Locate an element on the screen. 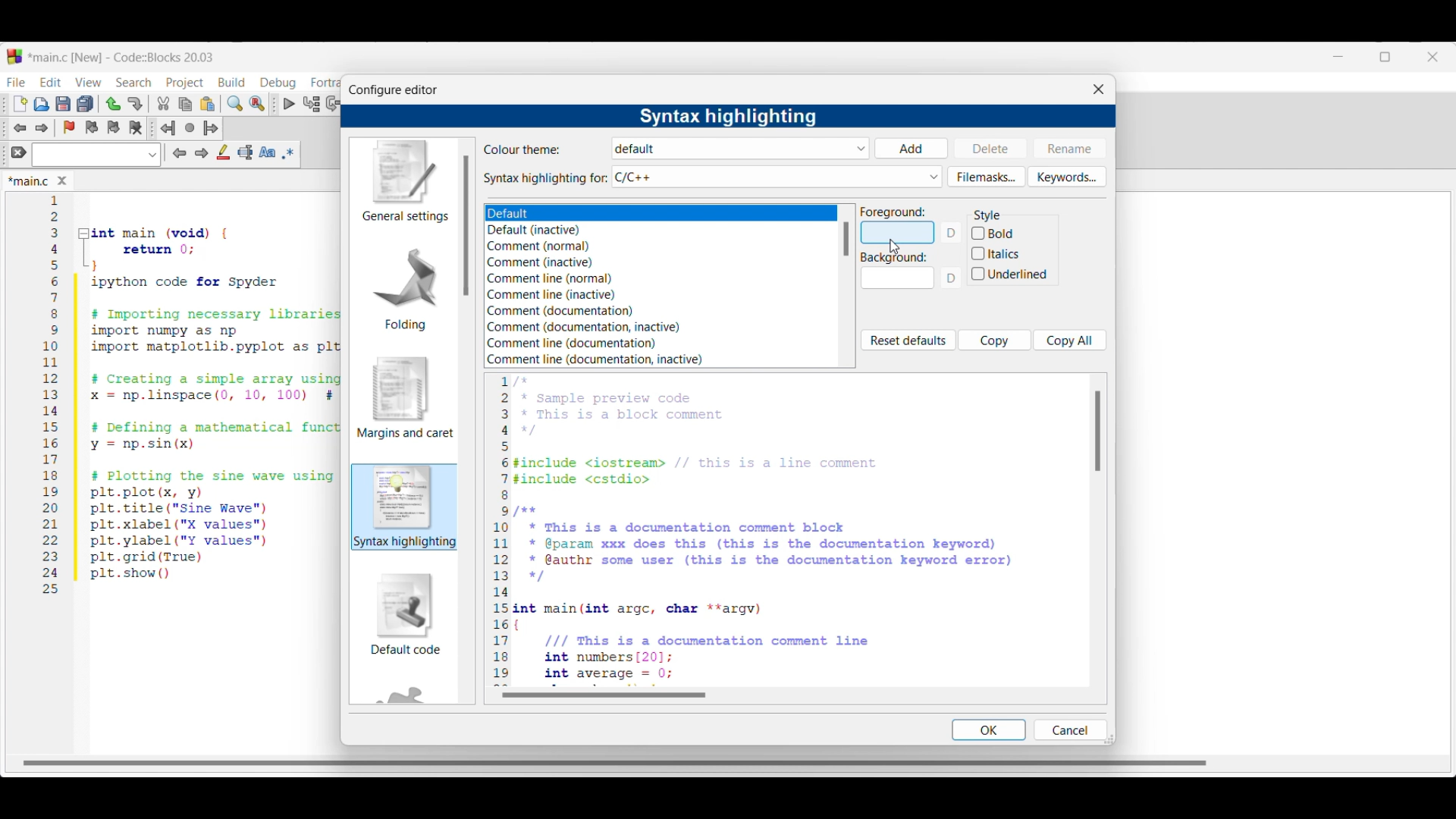 This screenshot has width=1456, height=819. Theme options is located at coordinates (742, 149).